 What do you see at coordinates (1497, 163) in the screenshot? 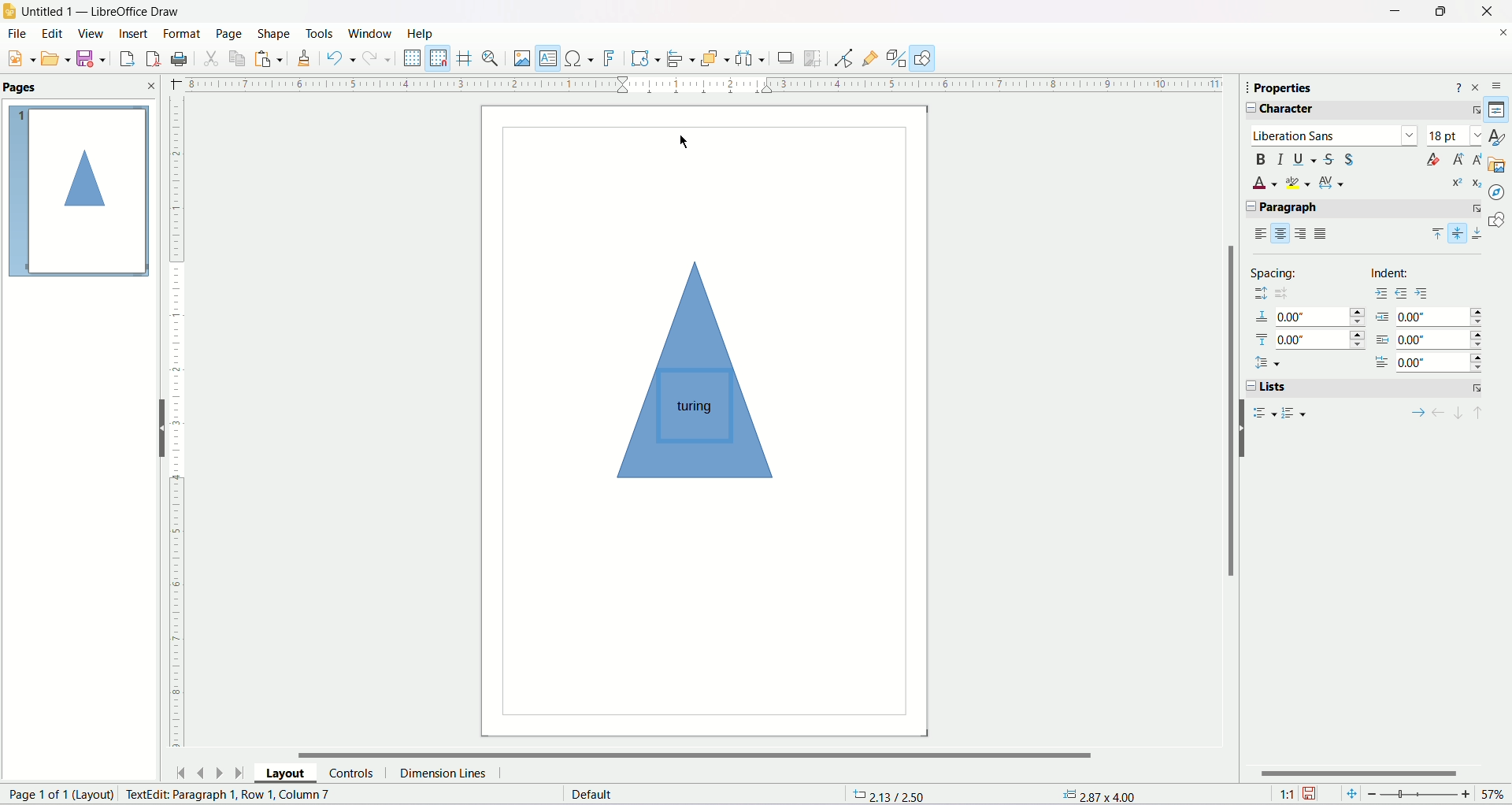
I see `Gallery` at bounding box center [1497, 163].